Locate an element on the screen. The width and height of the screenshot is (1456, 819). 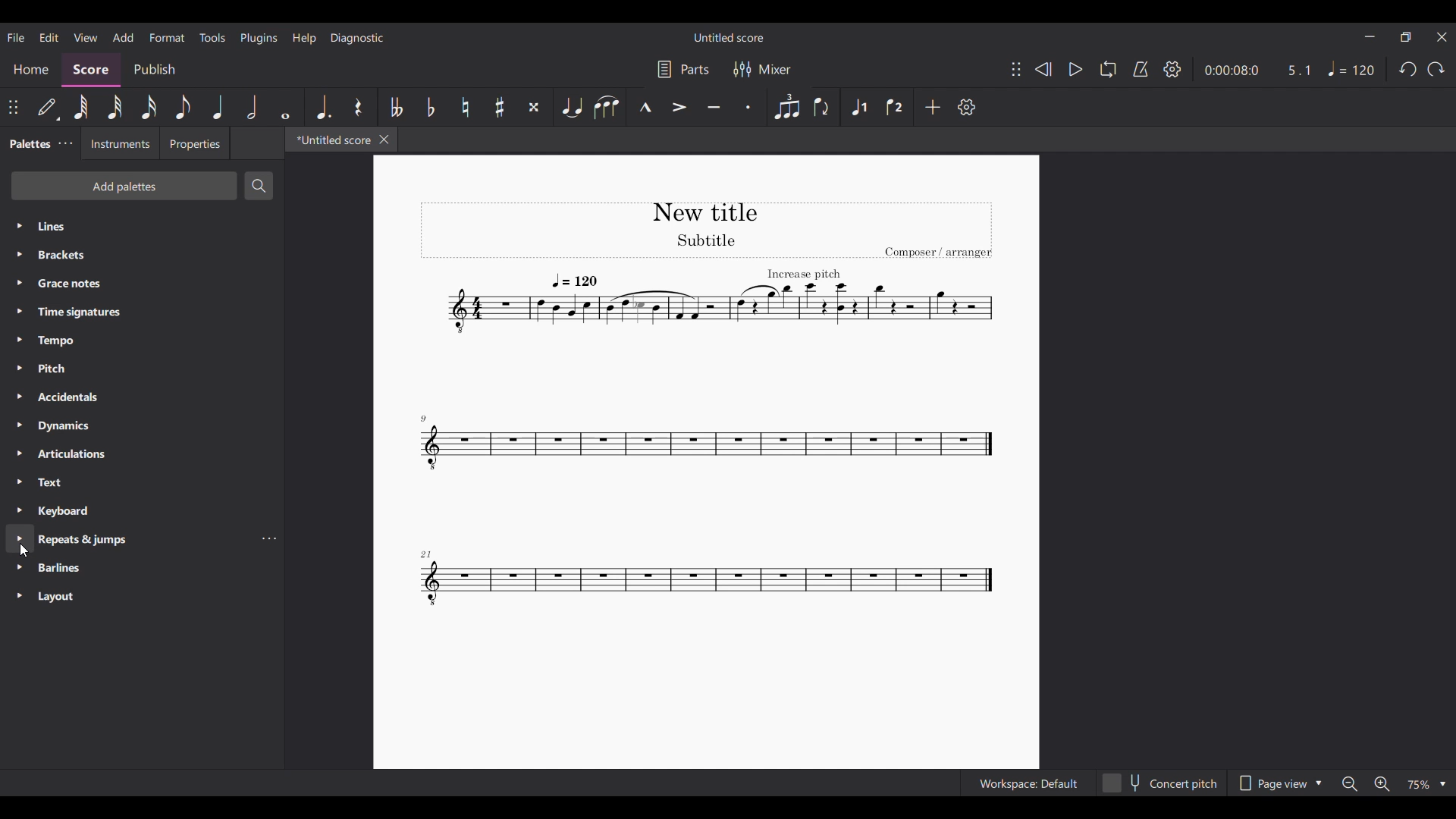
Current duration is located at coordinates (1231, 71).